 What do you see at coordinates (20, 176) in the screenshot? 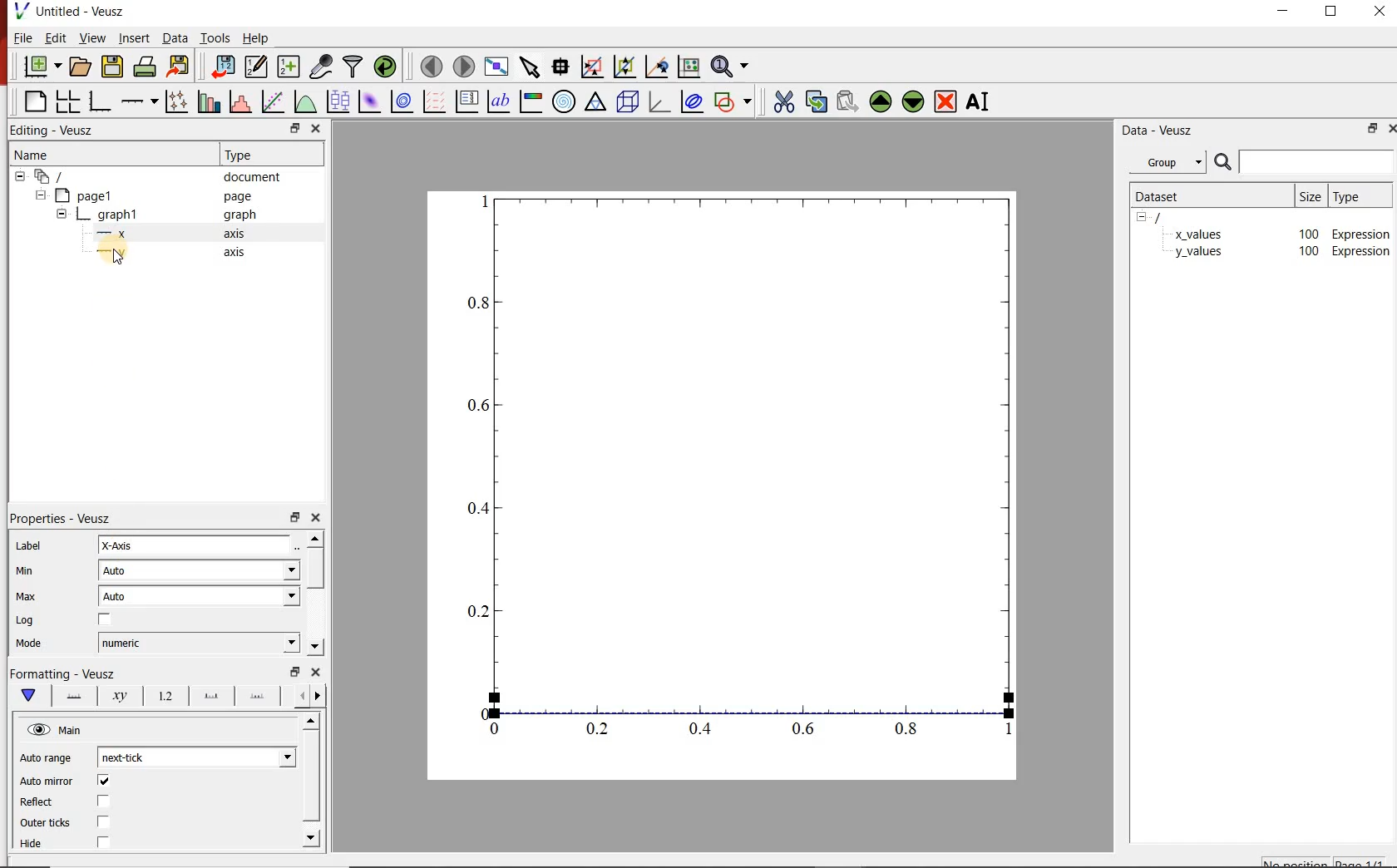
I see `hide` at bounding box center [20, 176].